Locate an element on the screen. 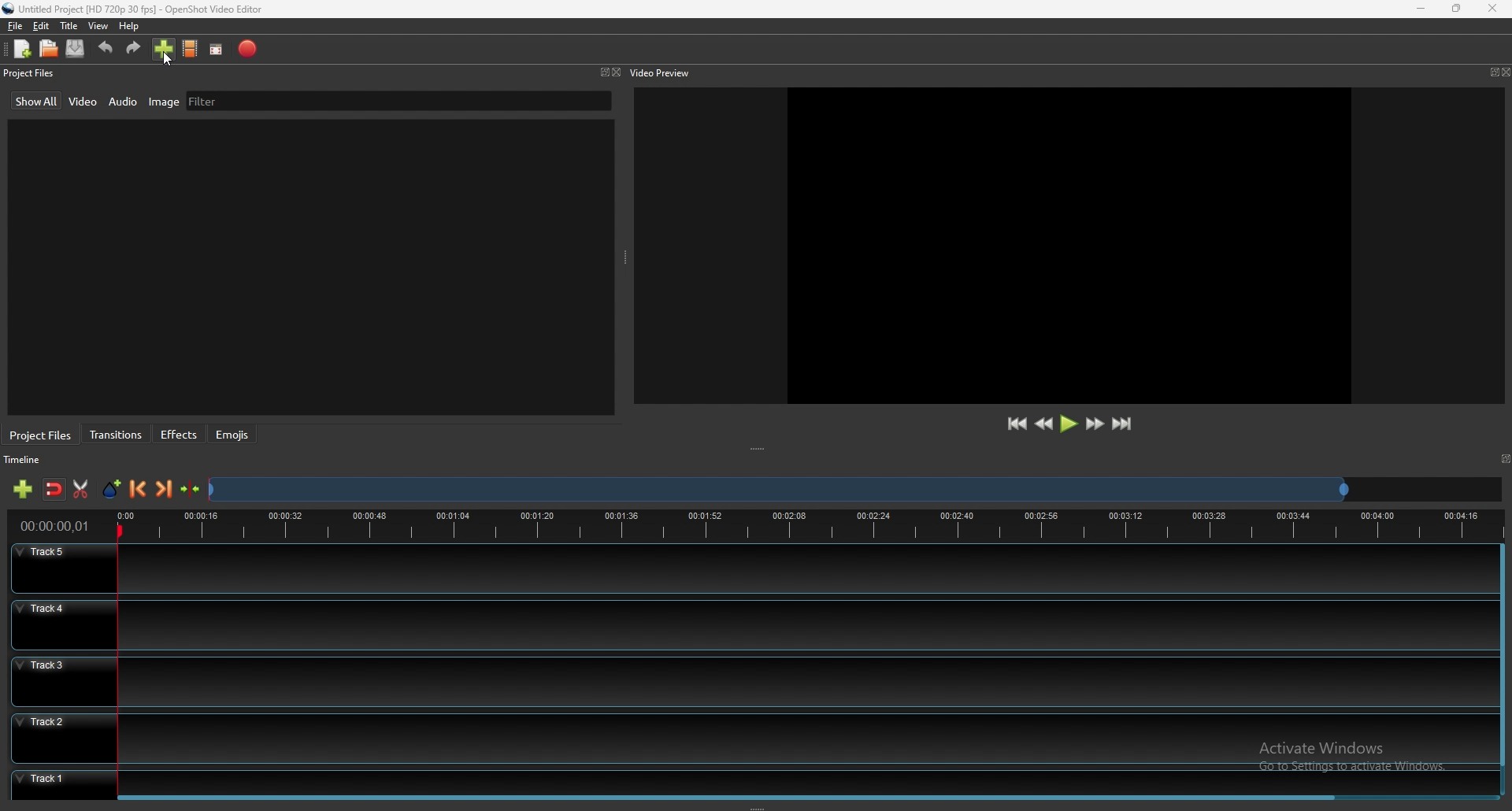  adjust is located at coordinates (627, 257).